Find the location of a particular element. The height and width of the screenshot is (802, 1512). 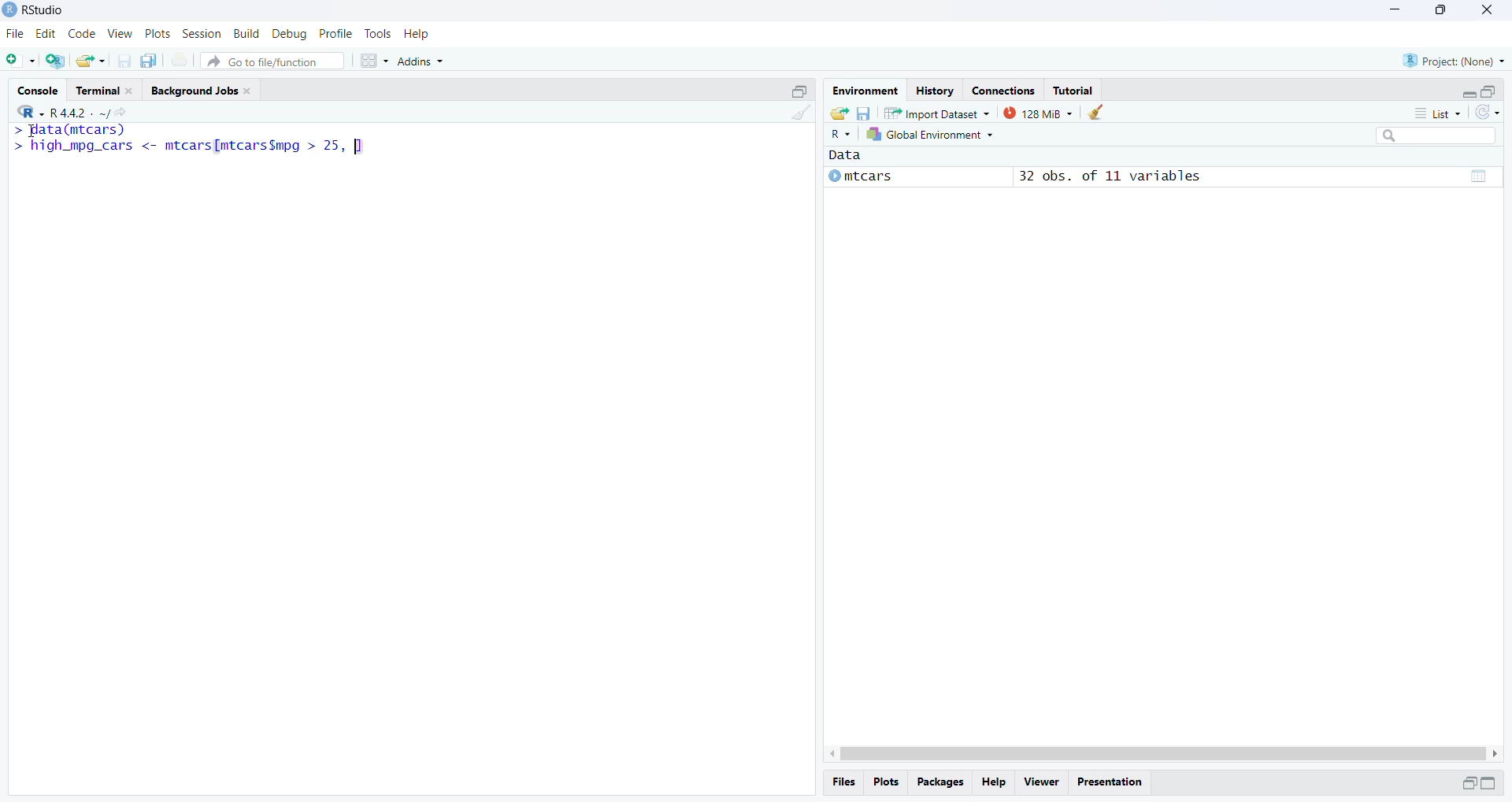

R 4.4.2. is located at coordinates (55, 112).